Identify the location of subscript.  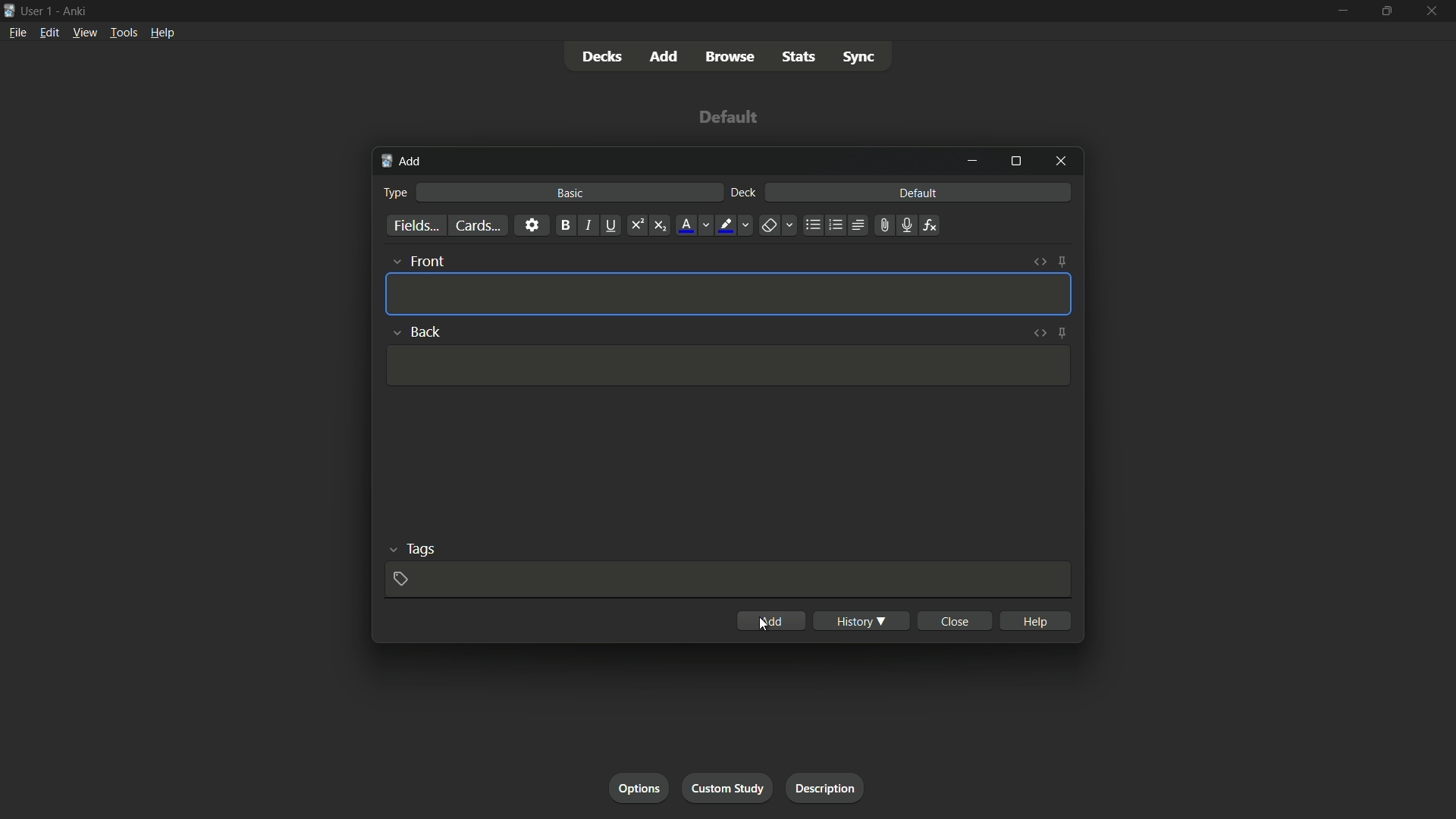
(661, 225).